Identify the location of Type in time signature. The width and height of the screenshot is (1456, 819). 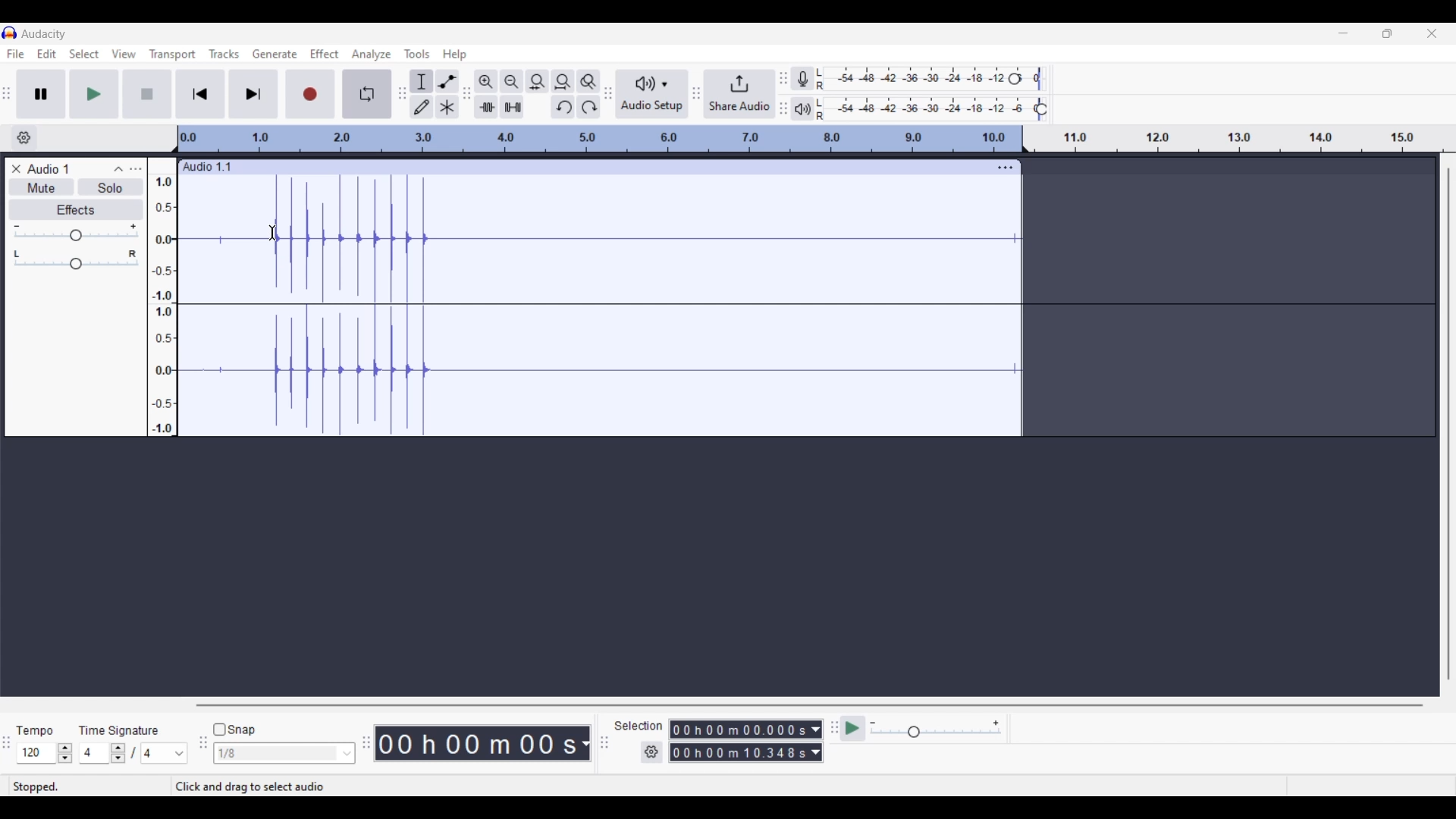
(94, 753).